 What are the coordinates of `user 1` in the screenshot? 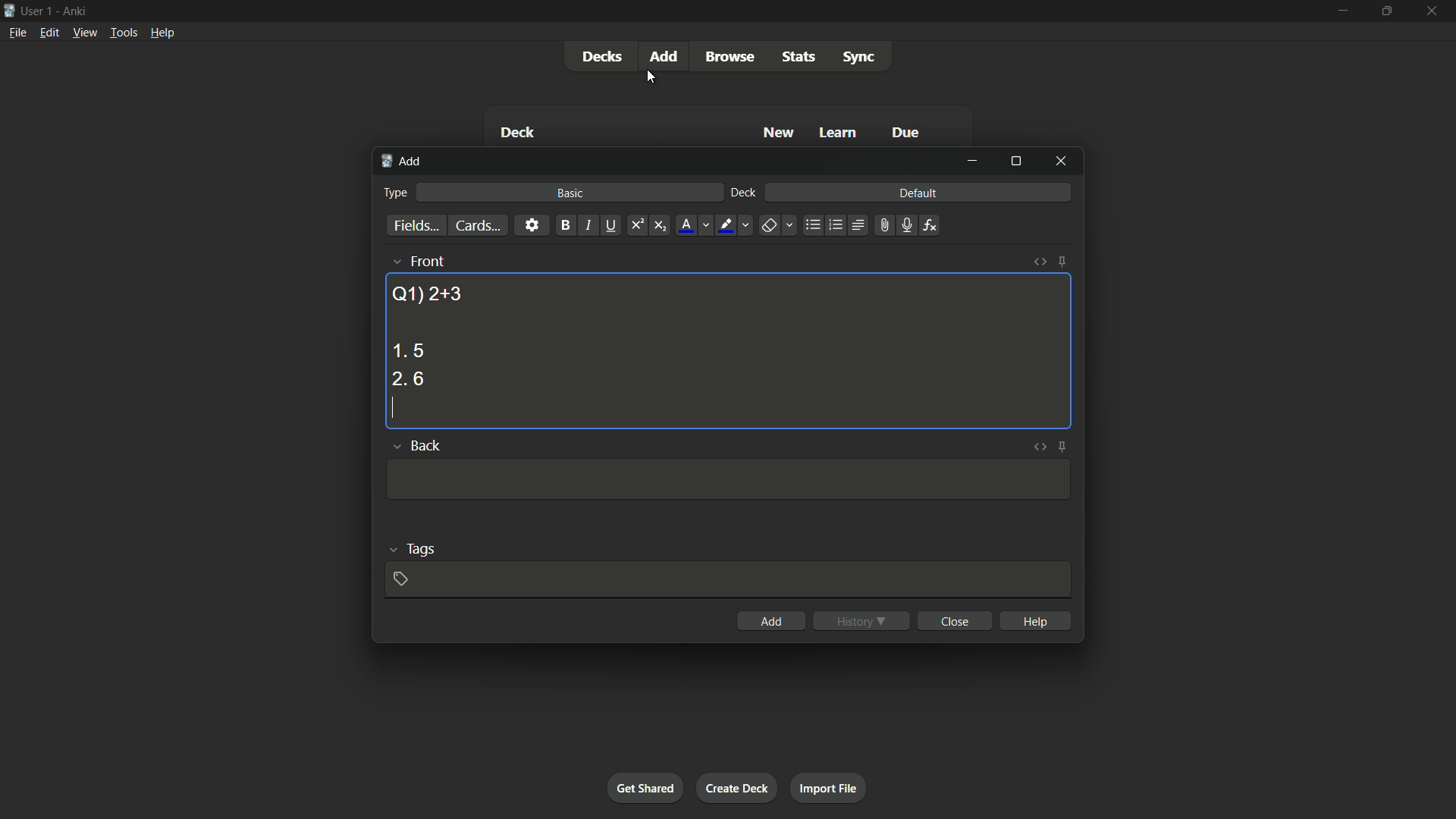 It's located at (37, 8).